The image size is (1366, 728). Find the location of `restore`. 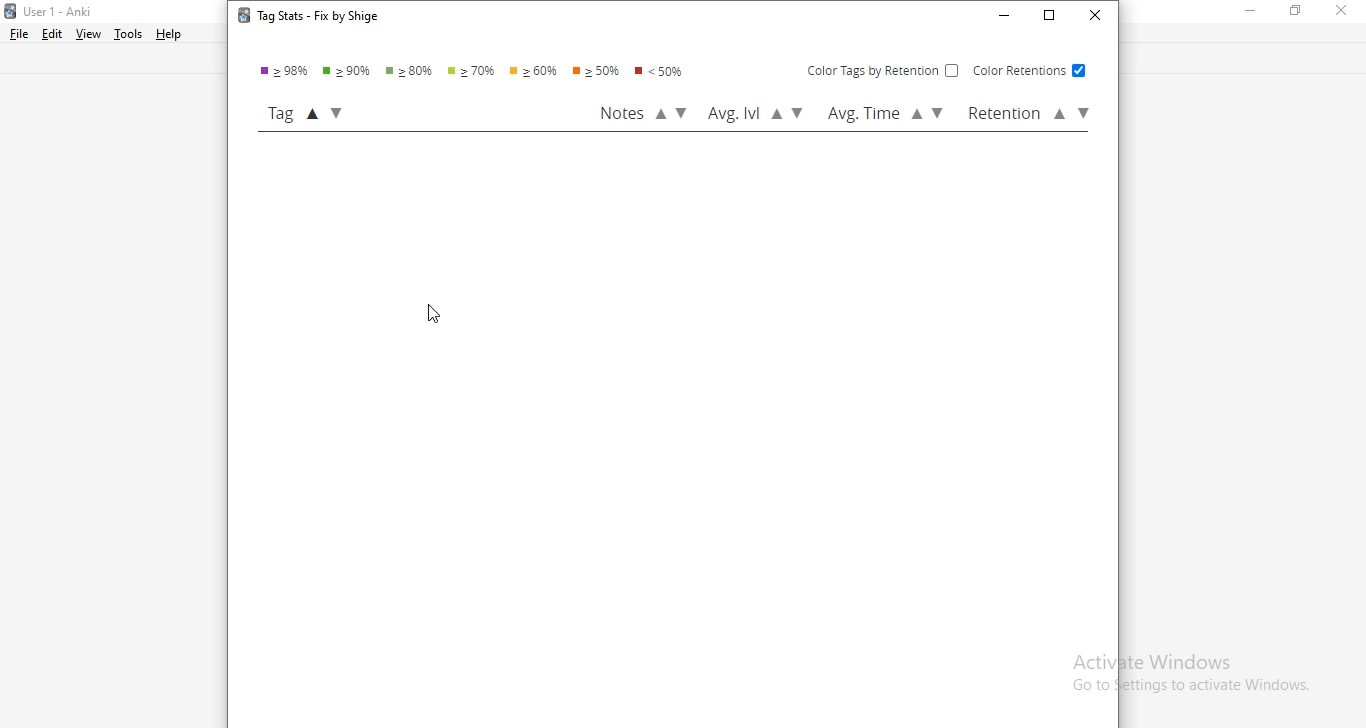

restore is located at coordinates (1050, 18).